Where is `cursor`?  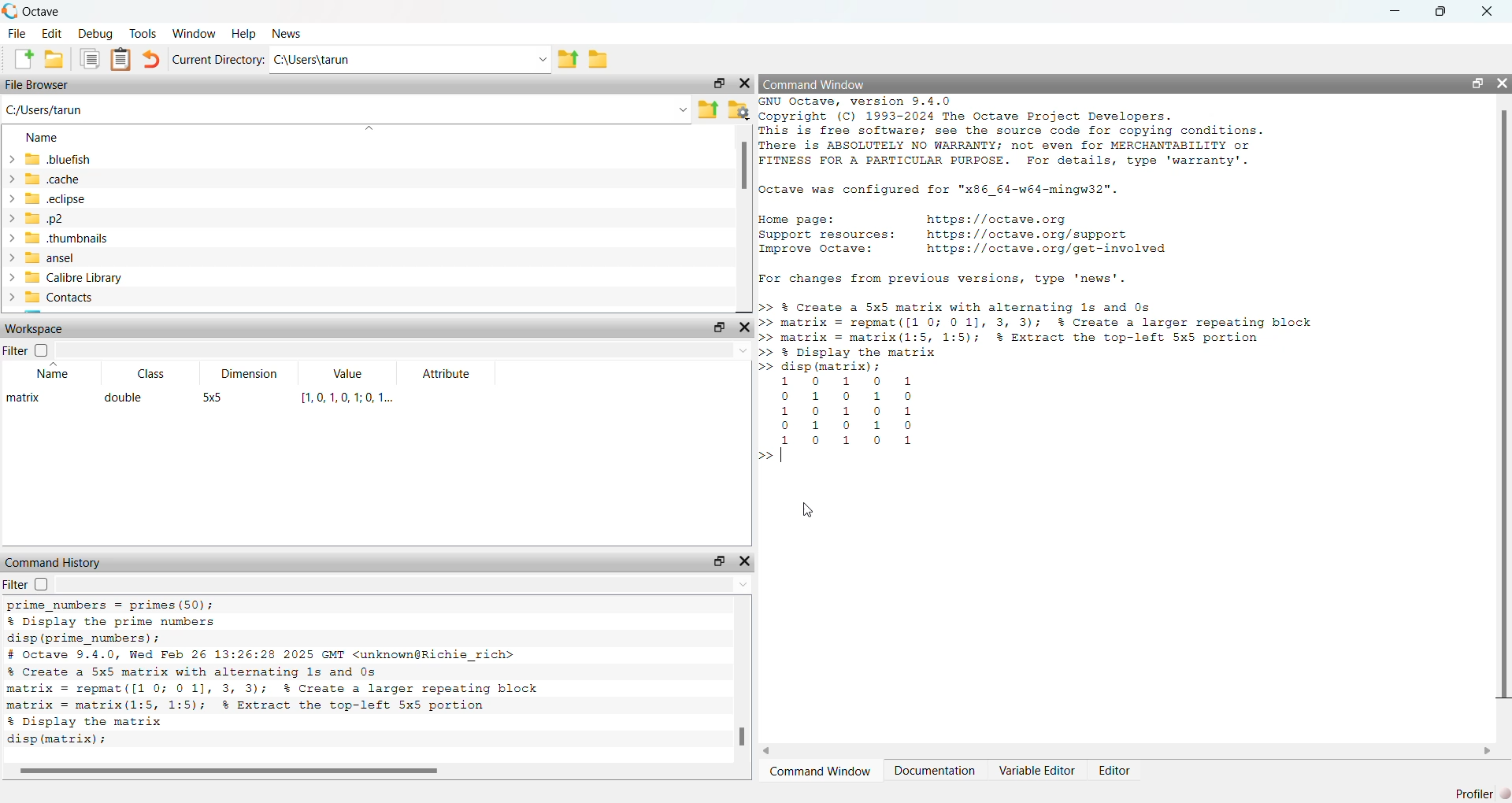
cursor is located at coordinates (806, 510).